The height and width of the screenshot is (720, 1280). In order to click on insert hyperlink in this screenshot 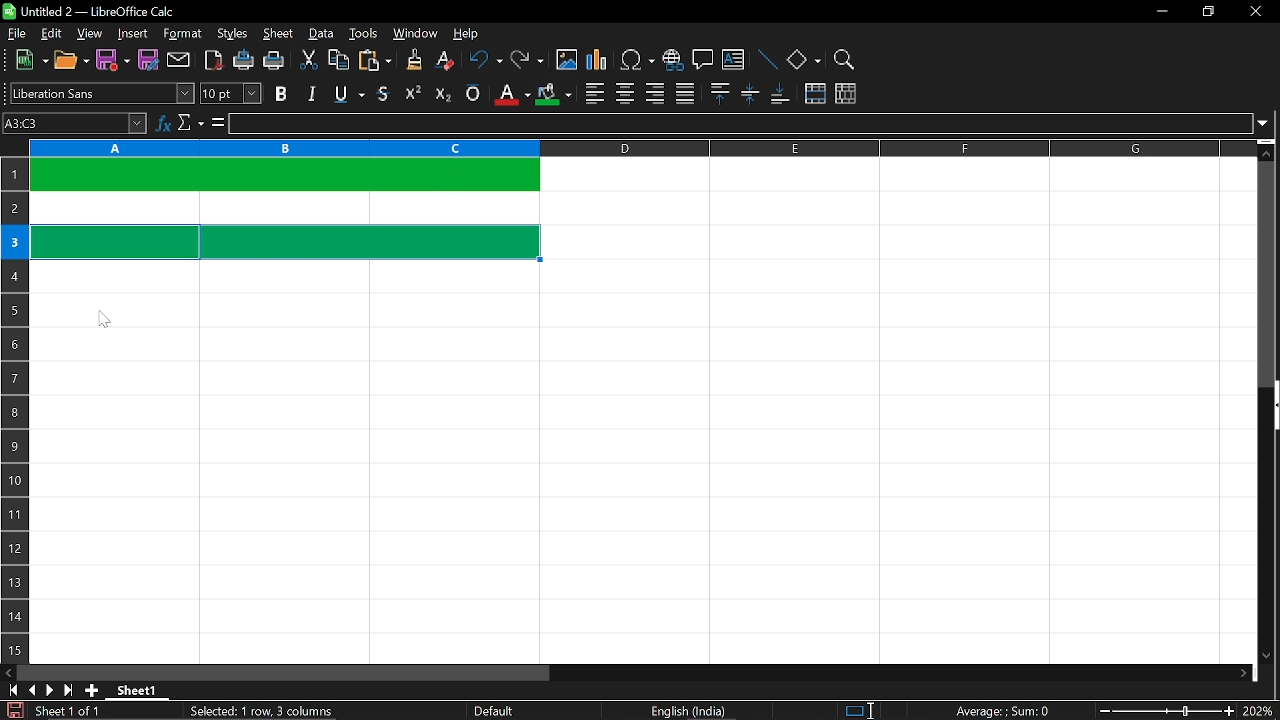, I will do `click(672, 58)`.